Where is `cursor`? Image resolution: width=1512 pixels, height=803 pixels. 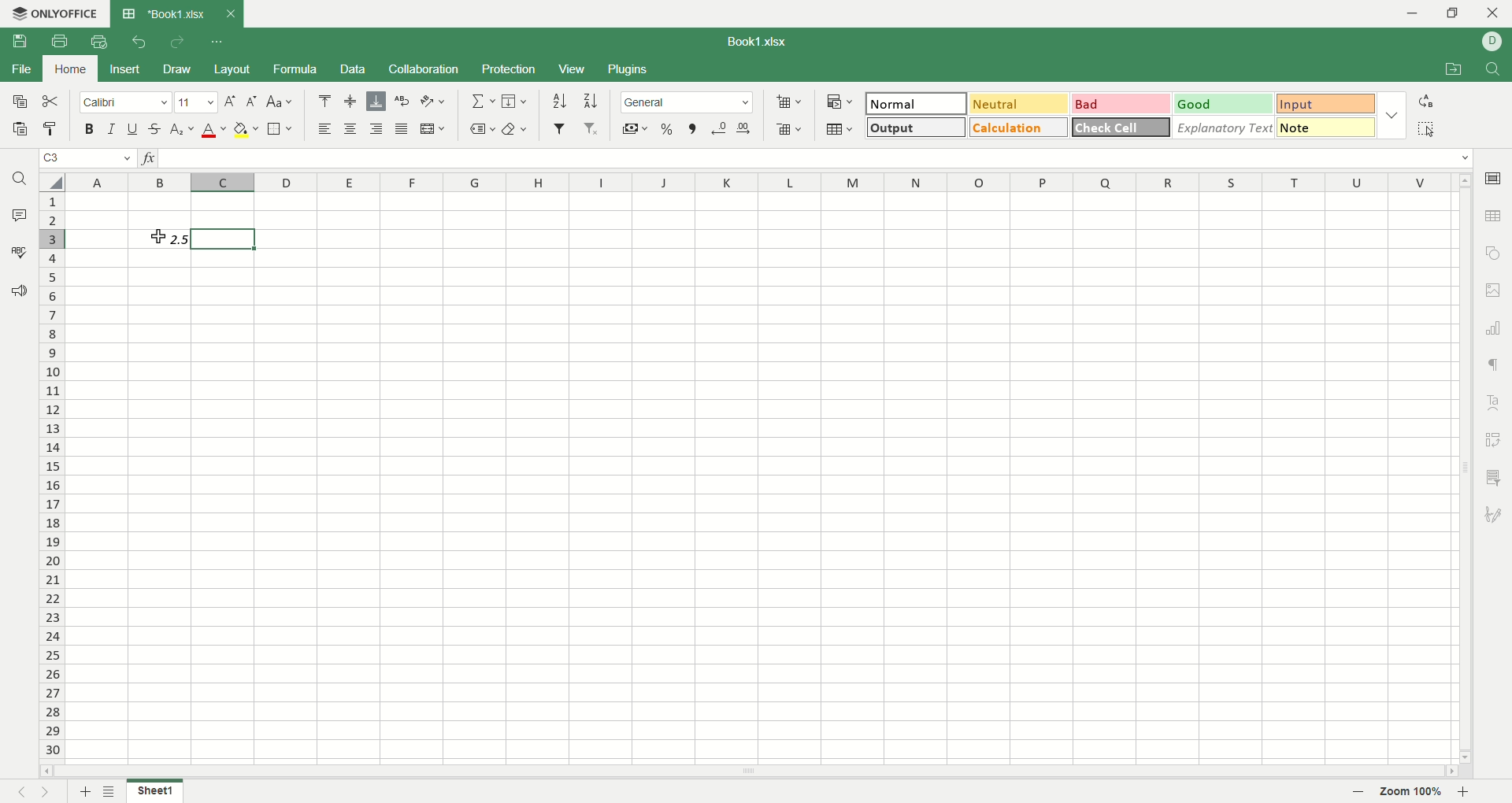
cursor is located at coordinates (157, 237).